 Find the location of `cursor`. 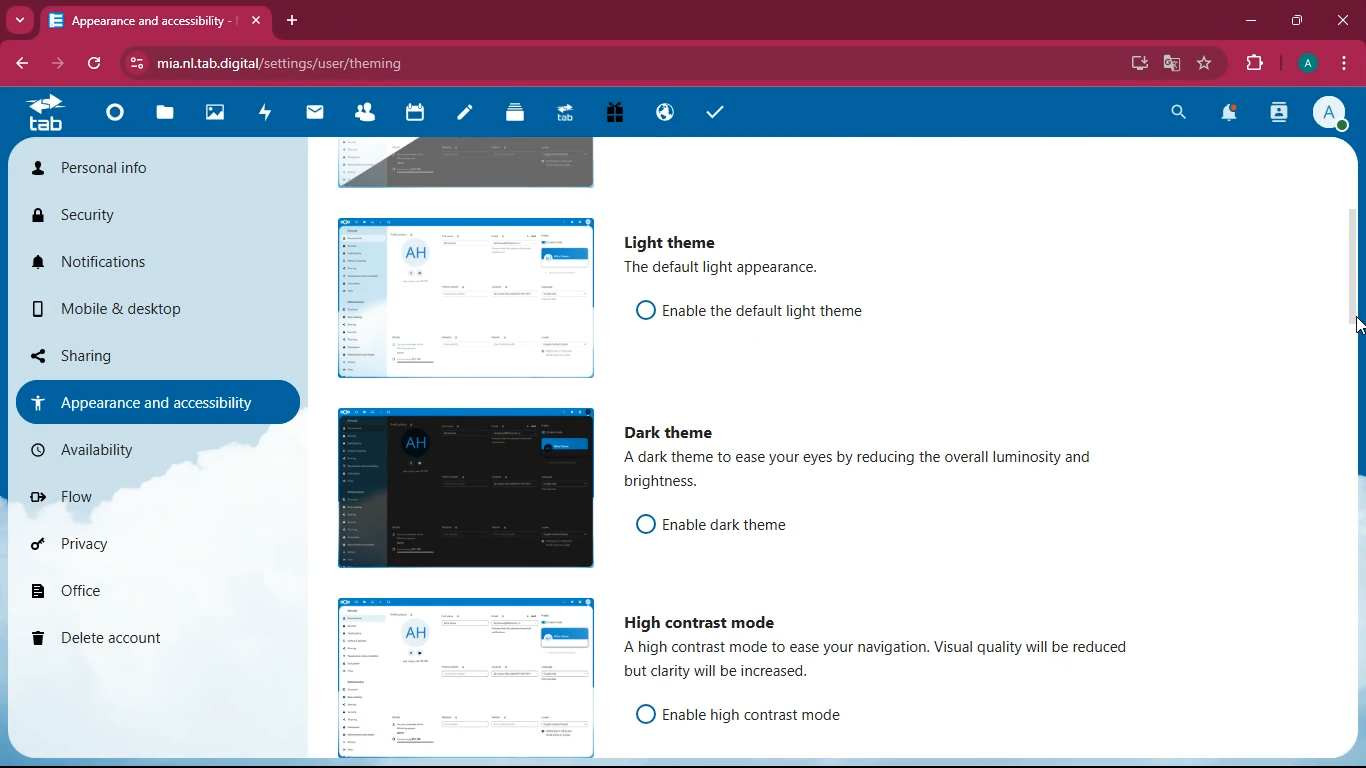

cursor is located at coordinates (1344, 328).